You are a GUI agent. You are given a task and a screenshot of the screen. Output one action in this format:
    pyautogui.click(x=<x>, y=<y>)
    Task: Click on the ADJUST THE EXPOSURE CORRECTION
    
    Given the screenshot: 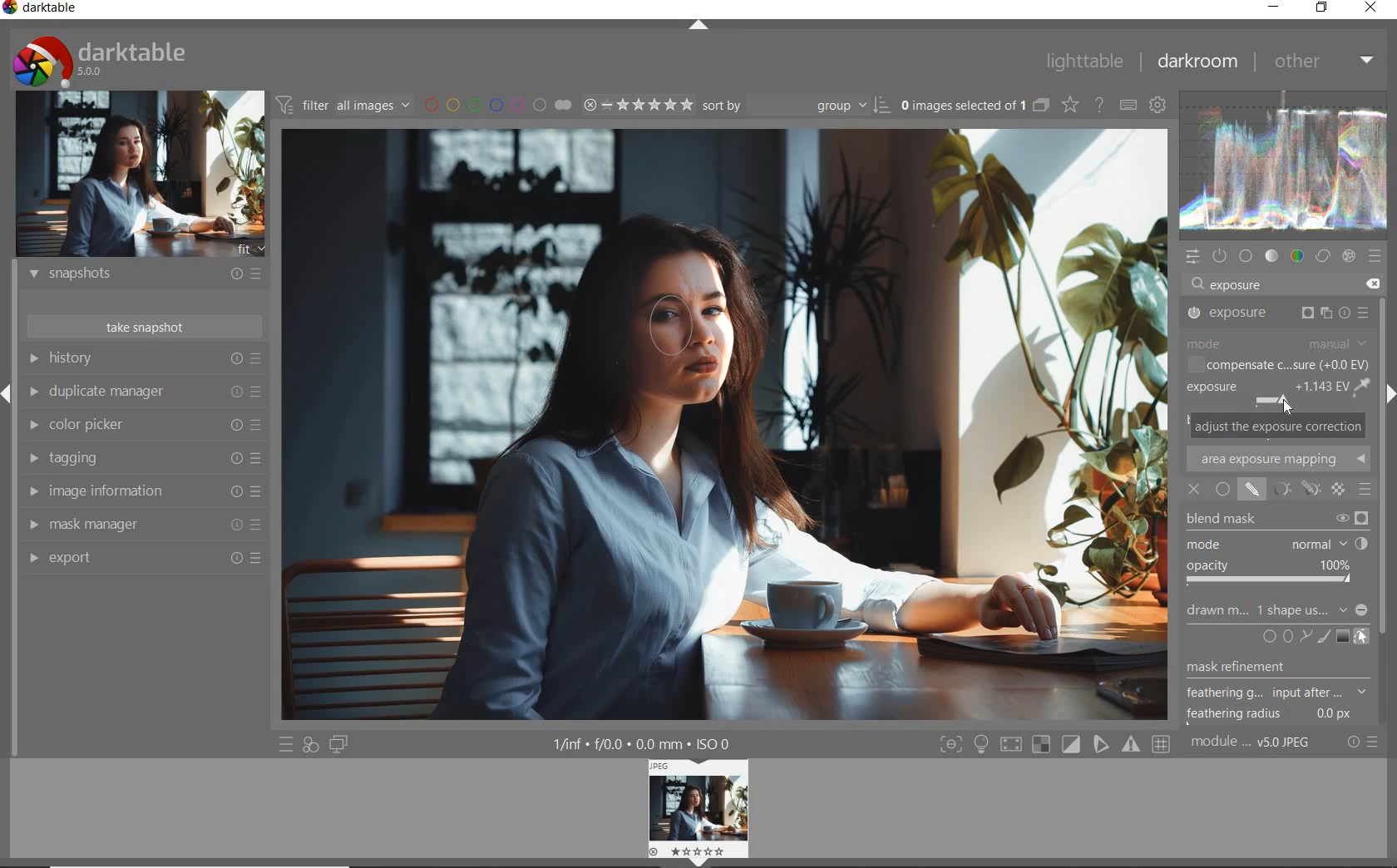 What is the action you would take?
    pyautogui.click(x=1278, y=425)
    